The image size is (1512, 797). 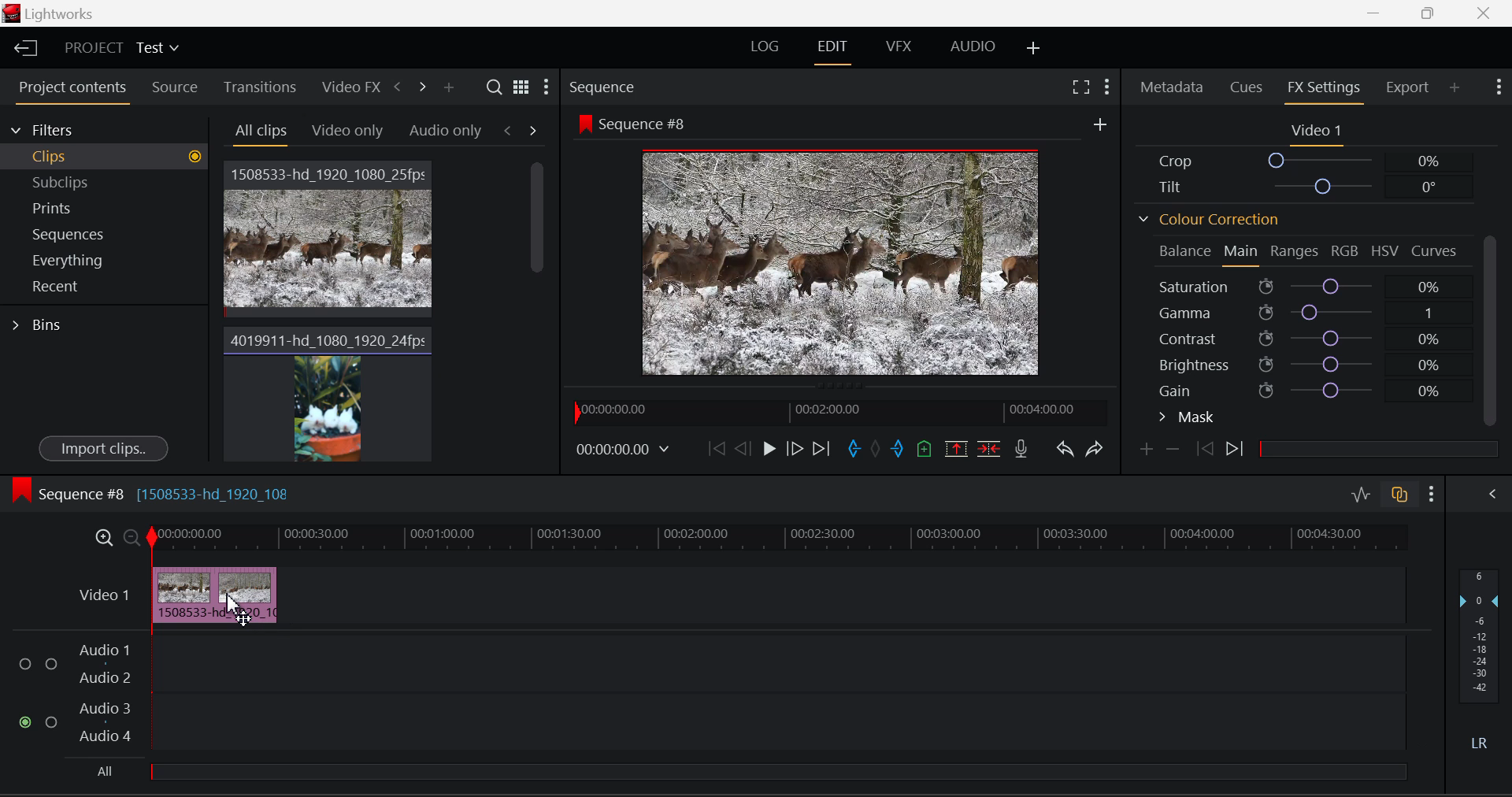 I want to click on Audio Input Field, so click(x=776, y=722).